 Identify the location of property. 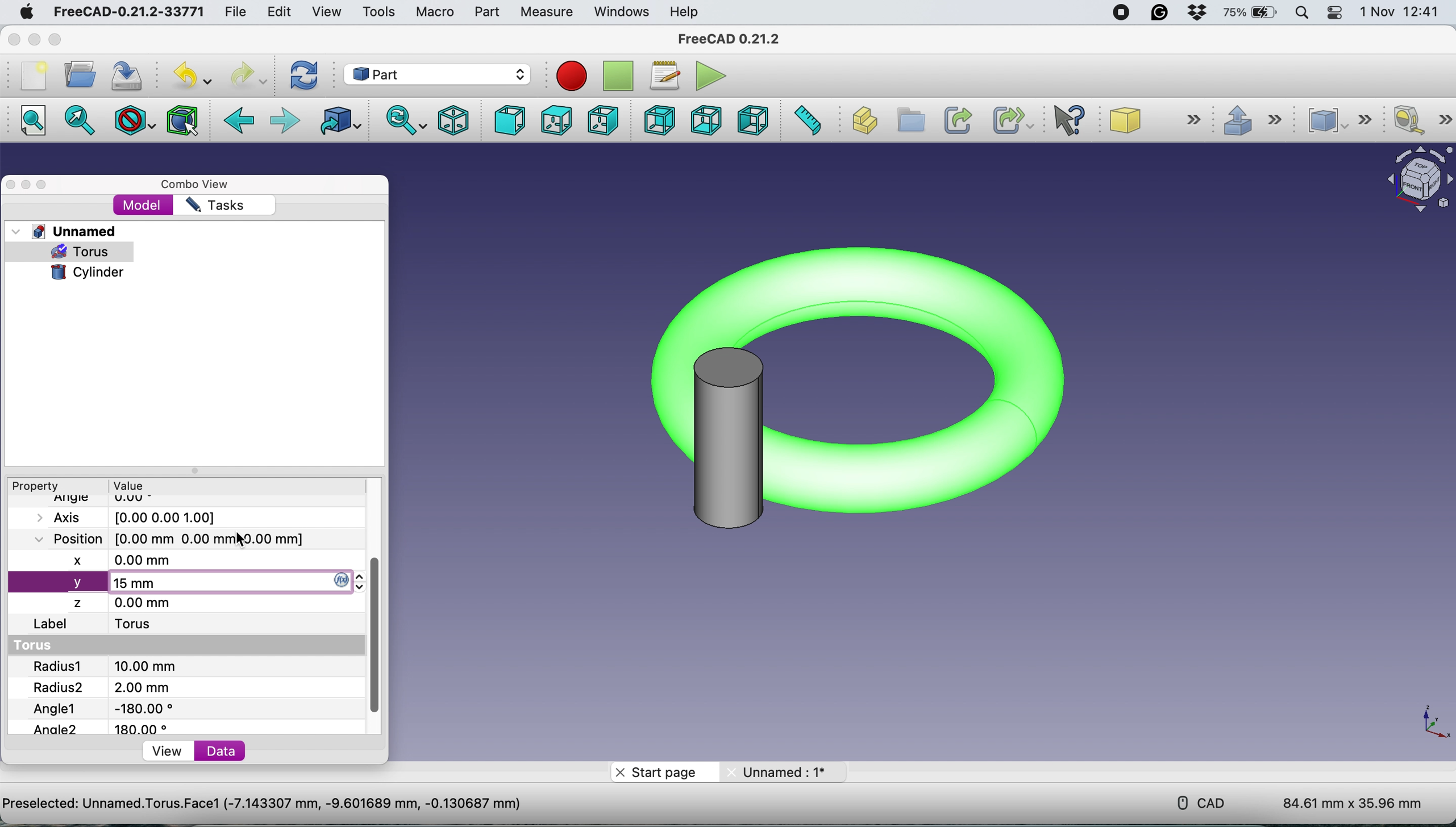
(40, 486).